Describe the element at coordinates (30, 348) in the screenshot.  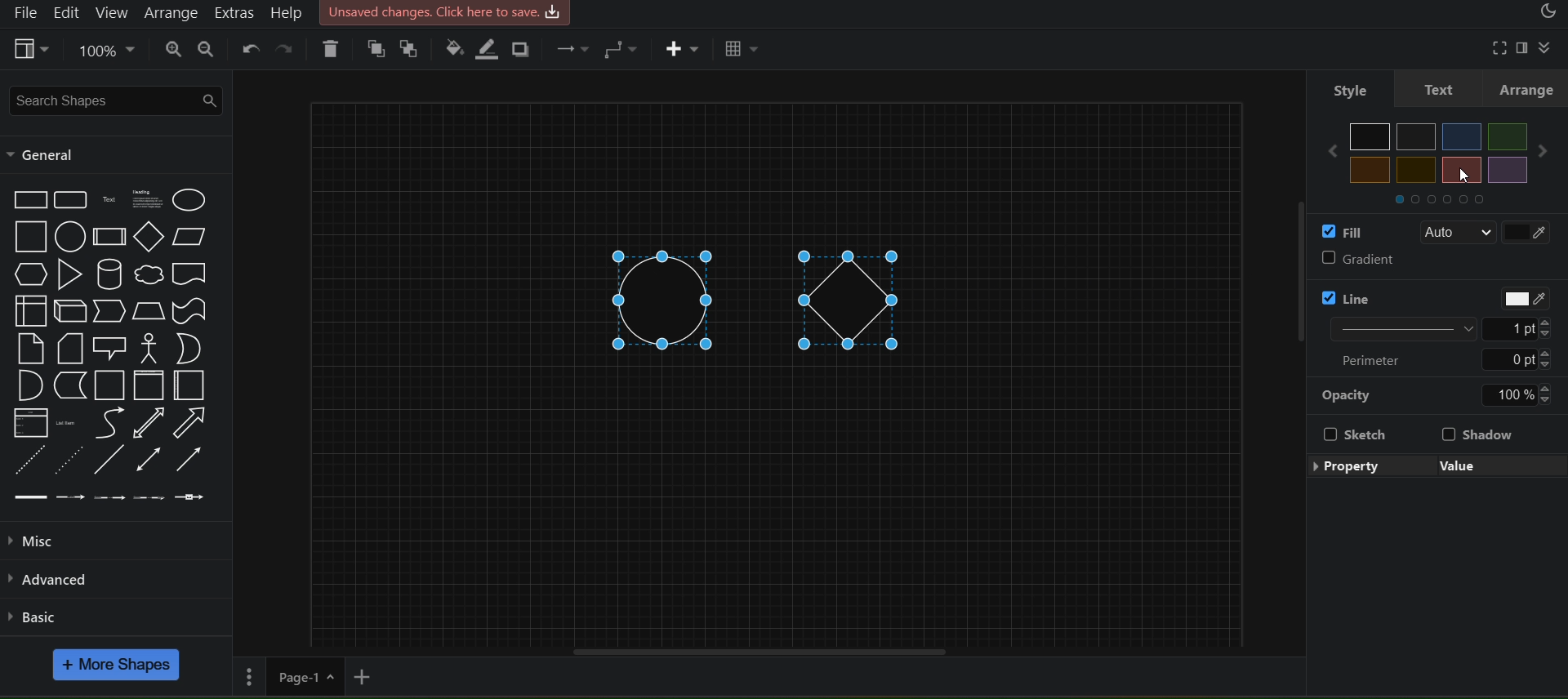
I see `Note` at that location.